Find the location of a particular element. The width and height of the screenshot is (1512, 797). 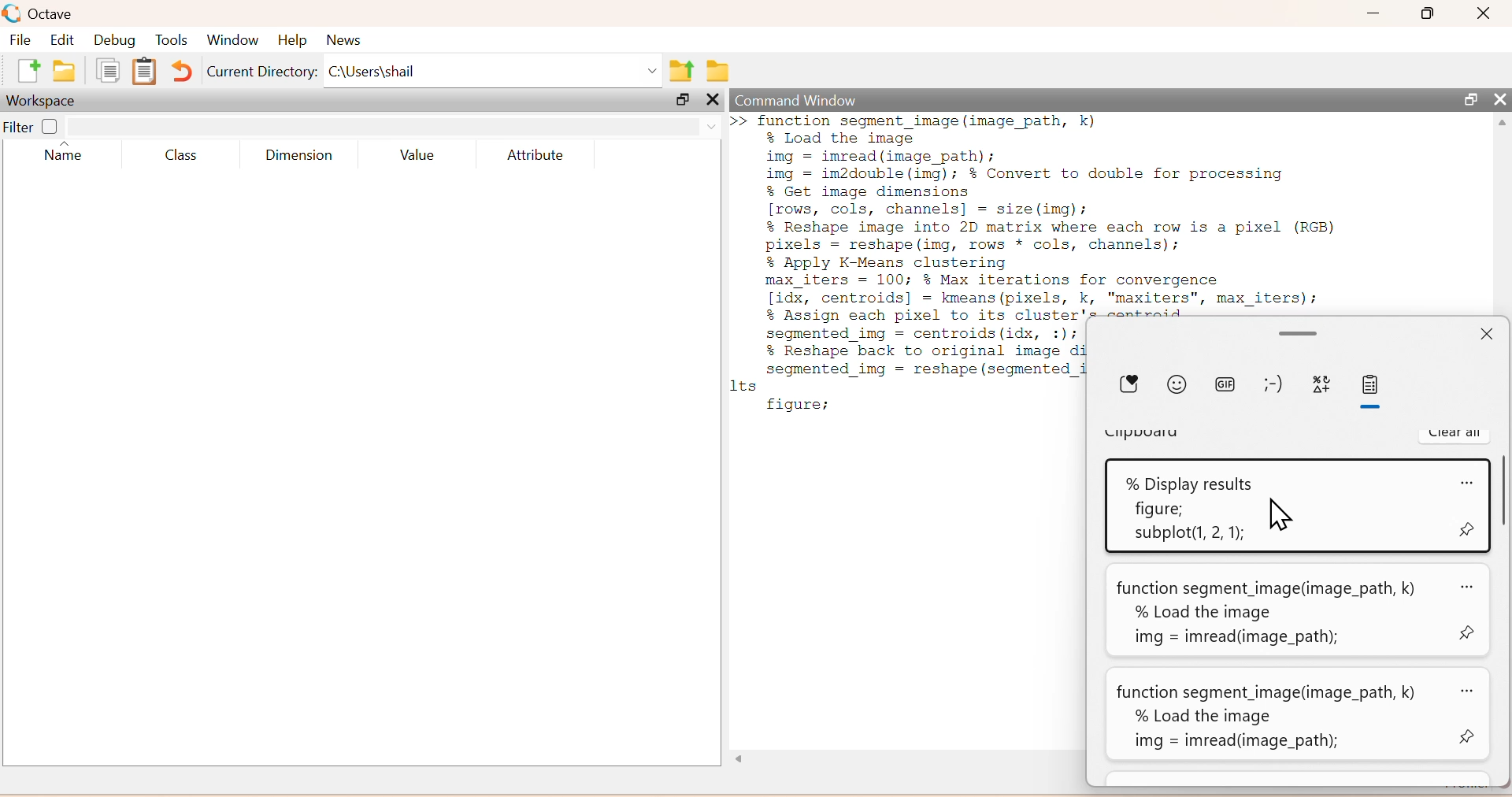

gif is located at coordinates (1225, 384).